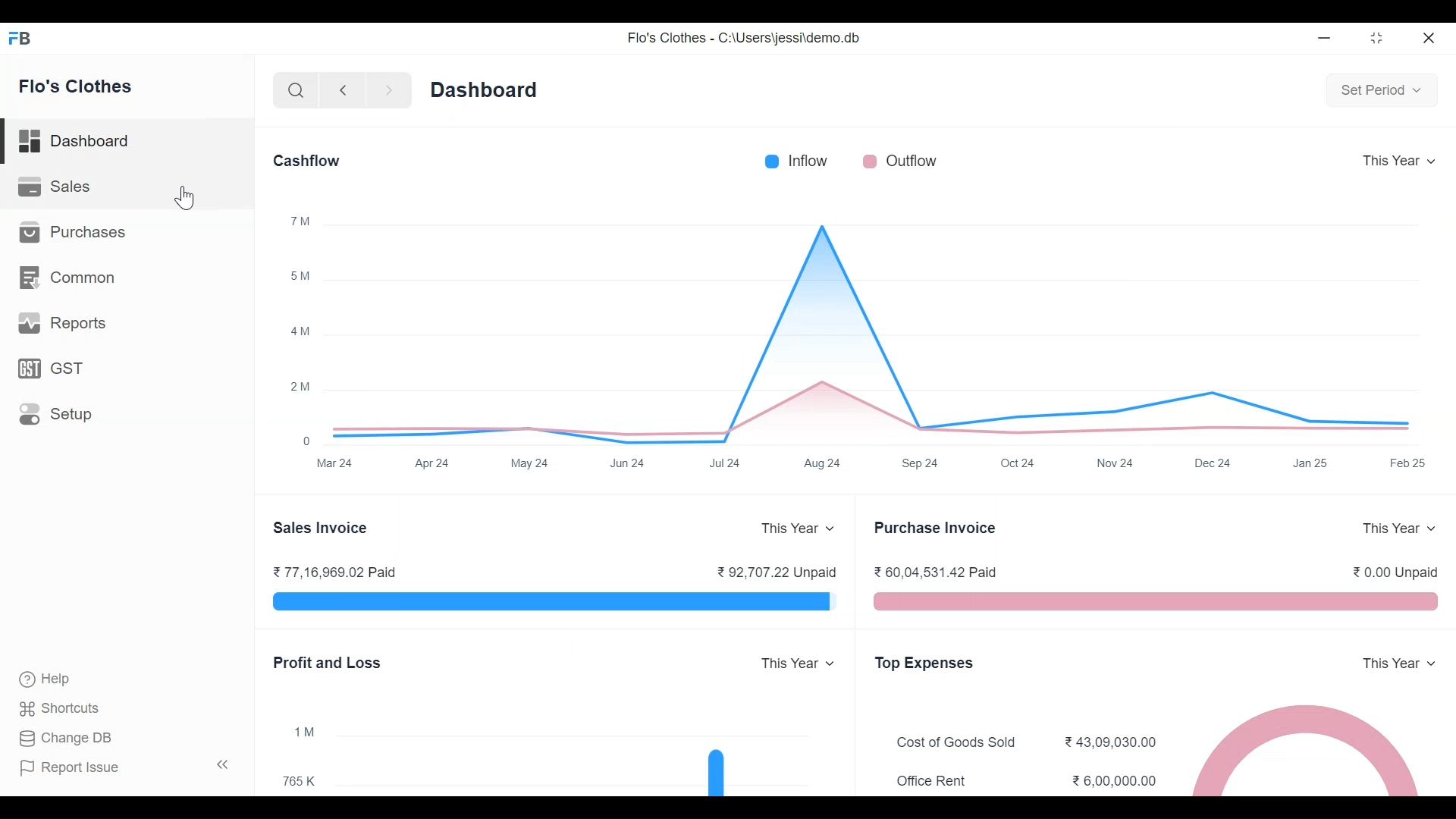 This screenshot has width=1456, height=819. I want to click on Go Back, so click(343, 91).